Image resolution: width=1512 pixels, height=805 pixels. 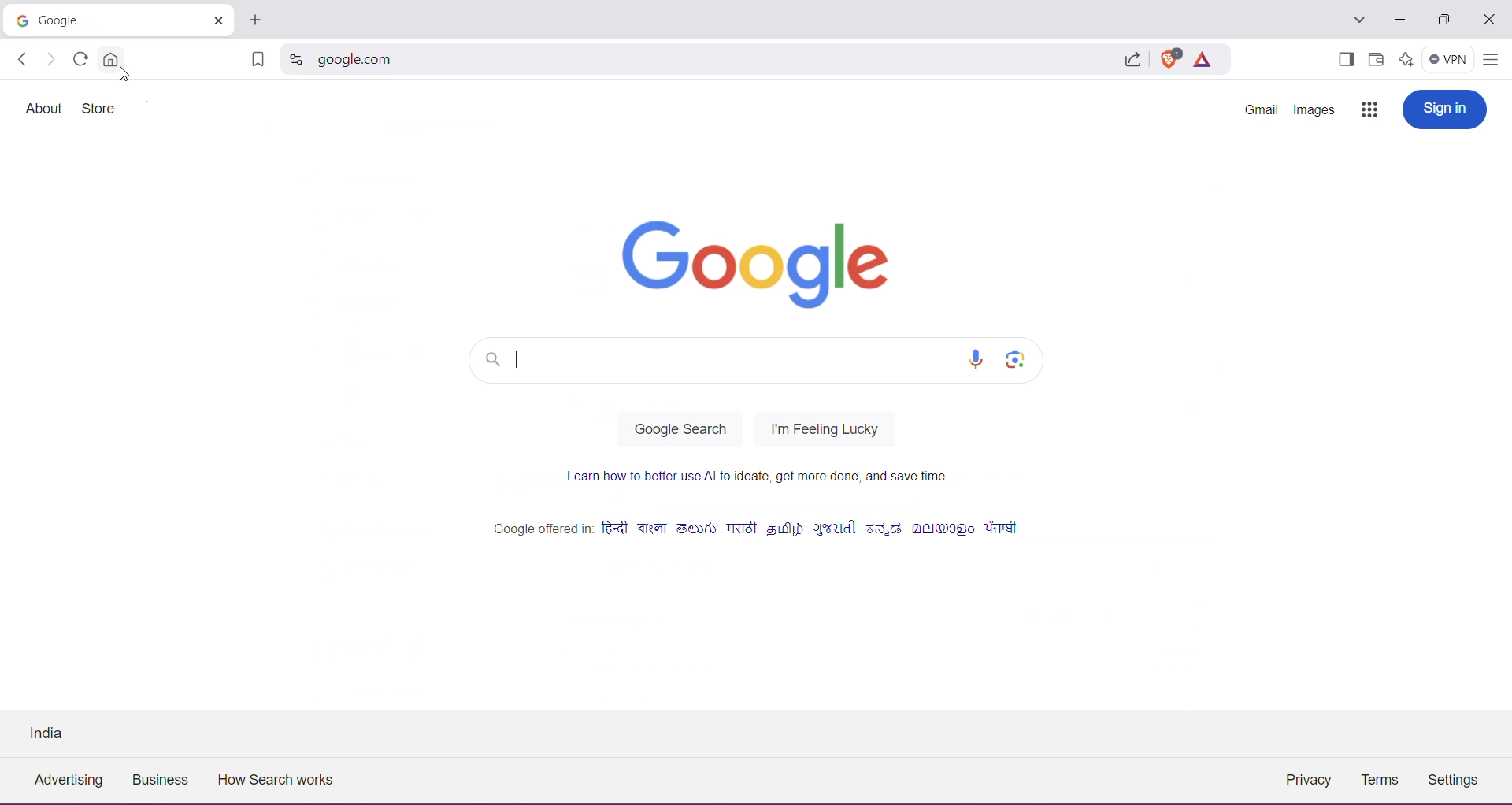 I want to click on Leo AI, so click(x=1404, y=58).